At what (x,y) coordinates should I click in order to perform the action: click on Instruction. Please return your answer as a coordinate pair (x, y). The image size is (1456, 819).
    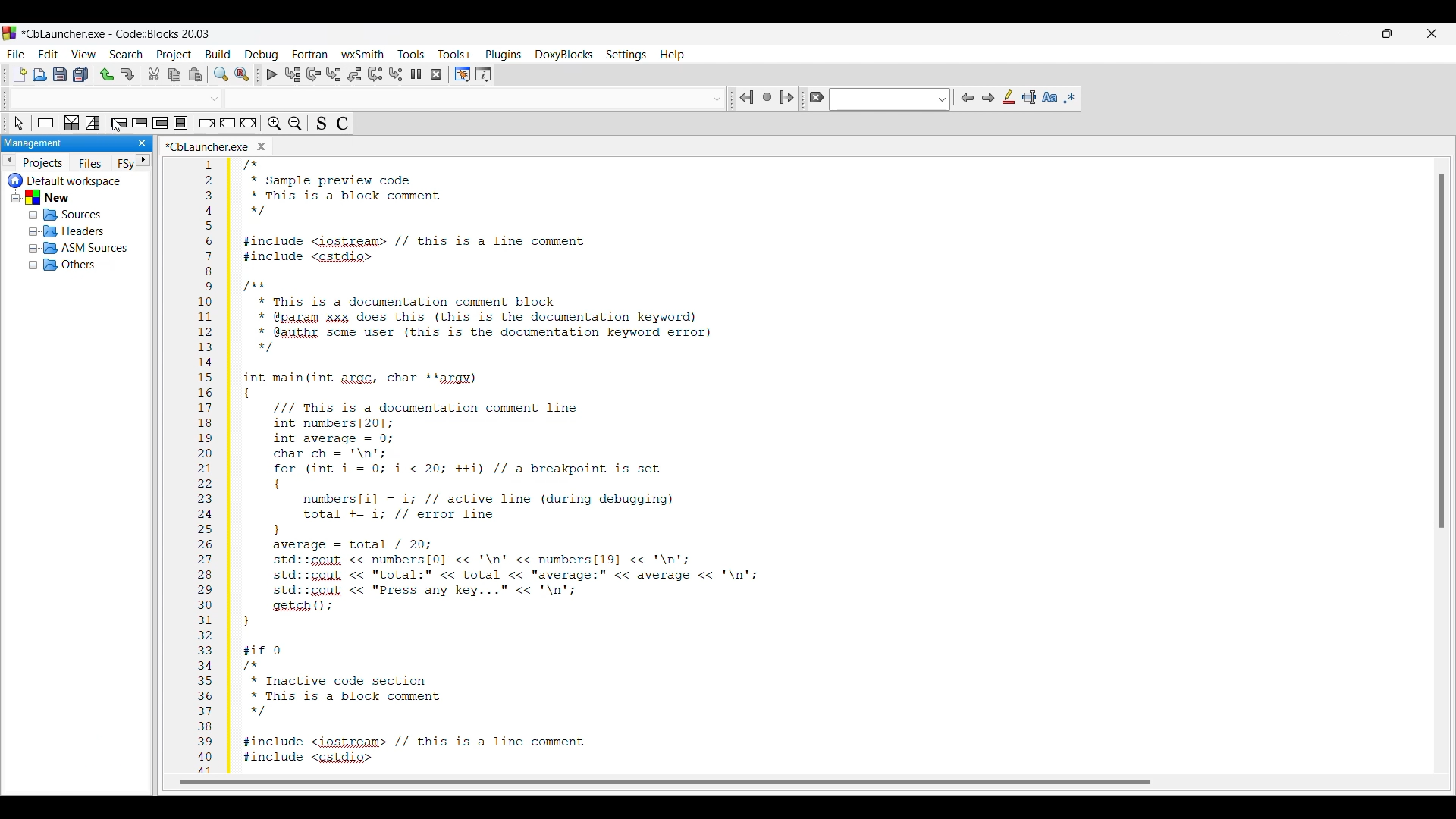
    Looking at the image, I should click on (45, 123).